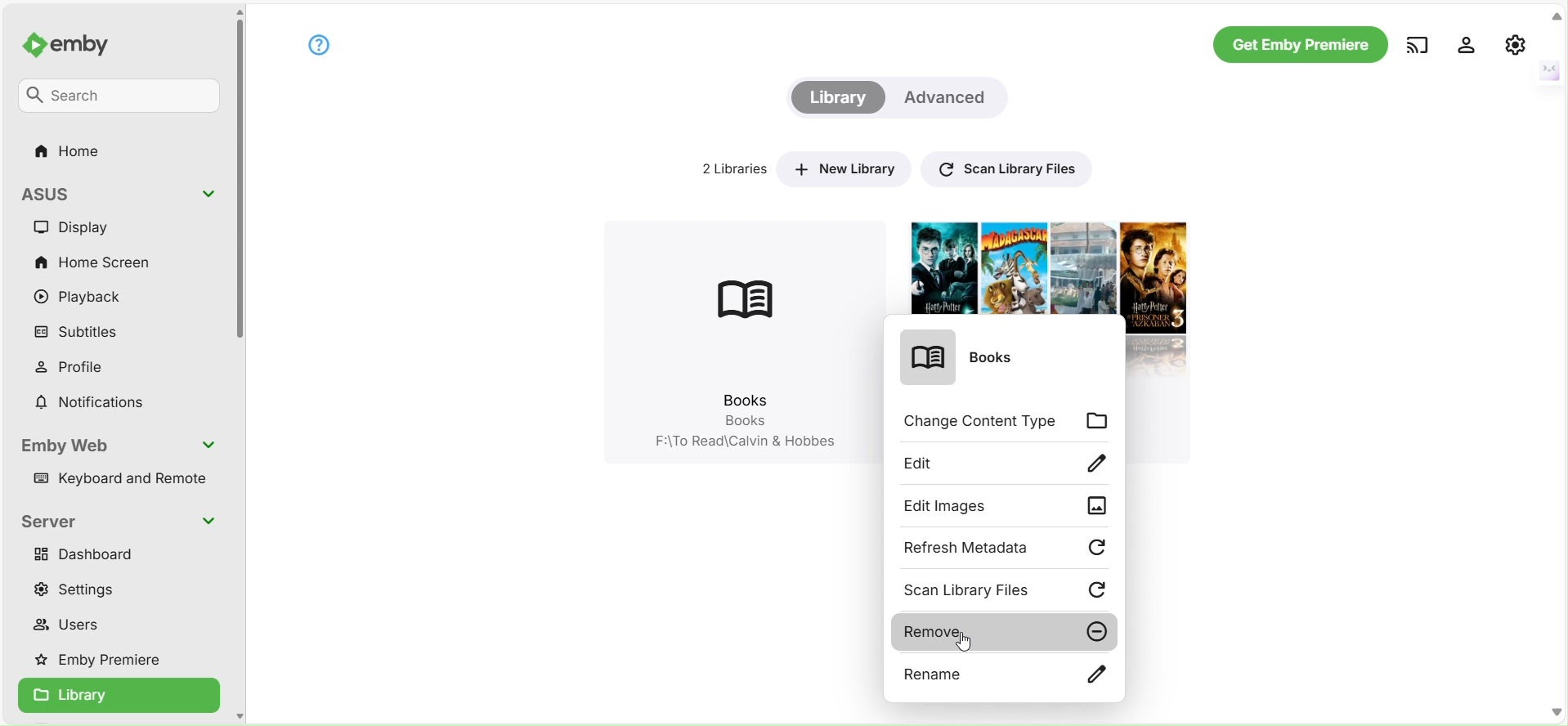 This screenshot has height=726, width=1568. What do you see at coordinates (1467, 43) in the screenshot?
I see `Settings ` at bounding box center [1467, 43].